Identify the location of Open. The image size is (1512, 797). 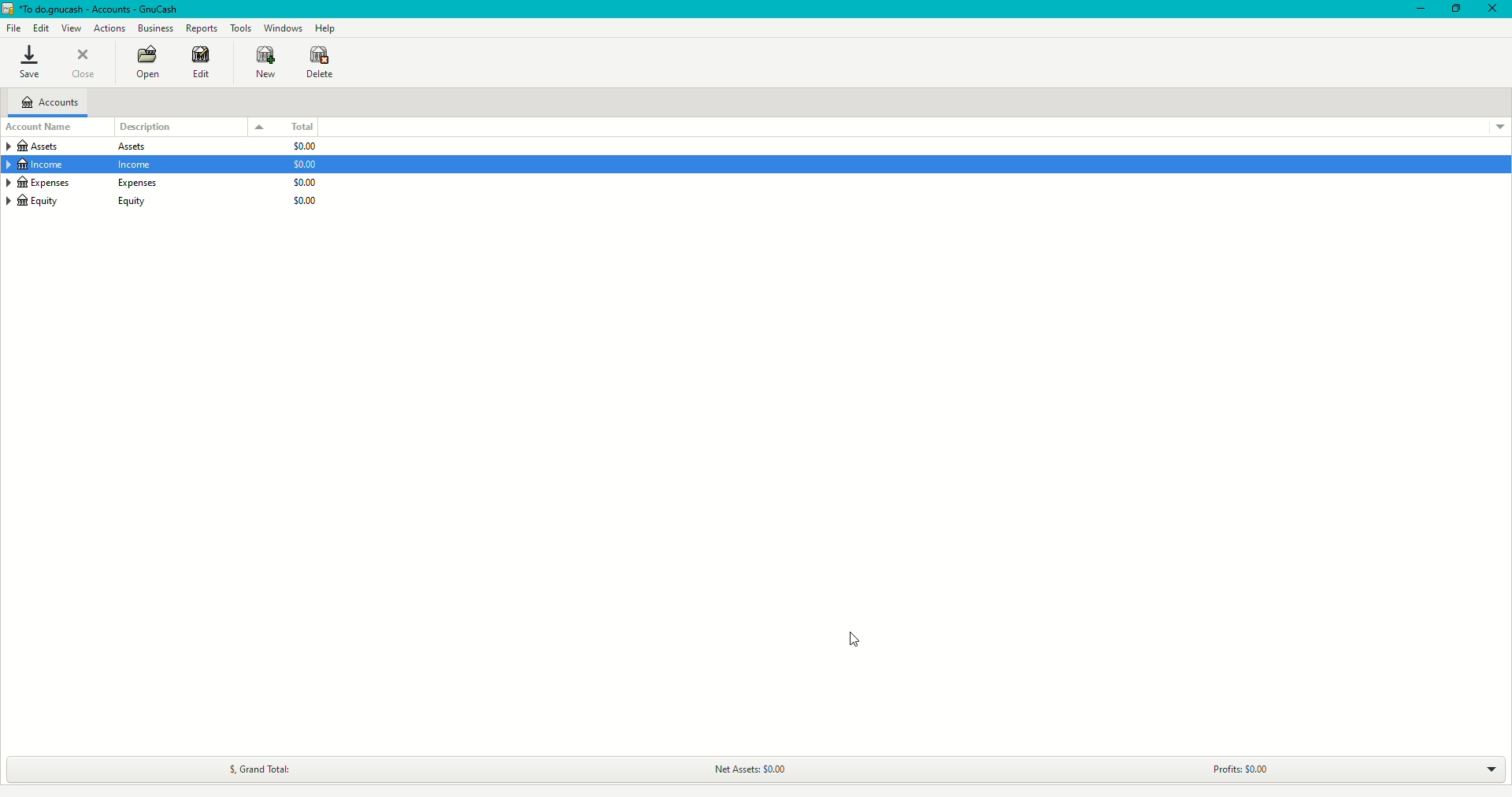
(146, 63).